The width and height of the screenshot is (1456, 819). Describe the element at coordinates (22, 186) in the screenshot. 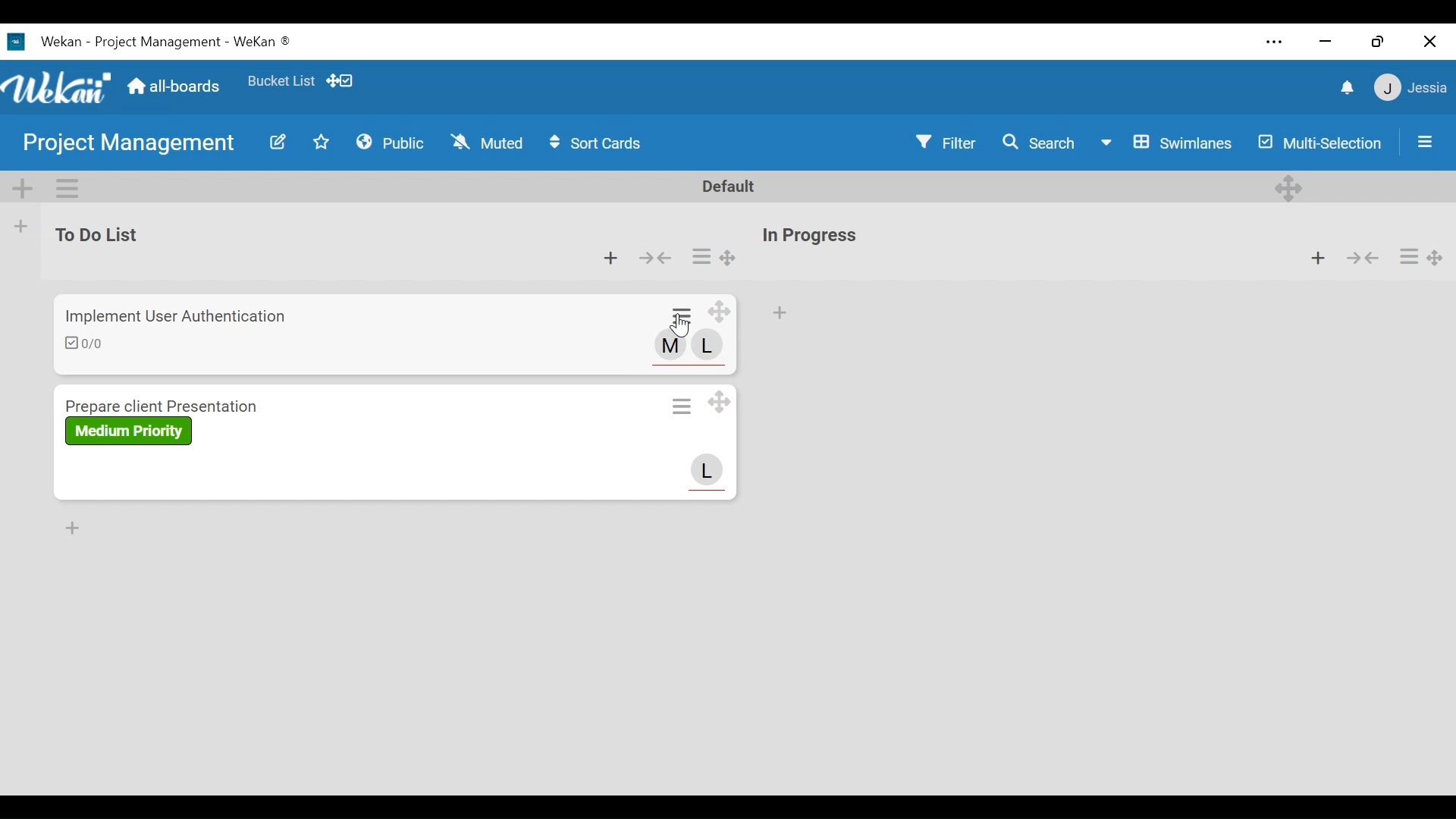

I see `Add Swimlane` at that location.